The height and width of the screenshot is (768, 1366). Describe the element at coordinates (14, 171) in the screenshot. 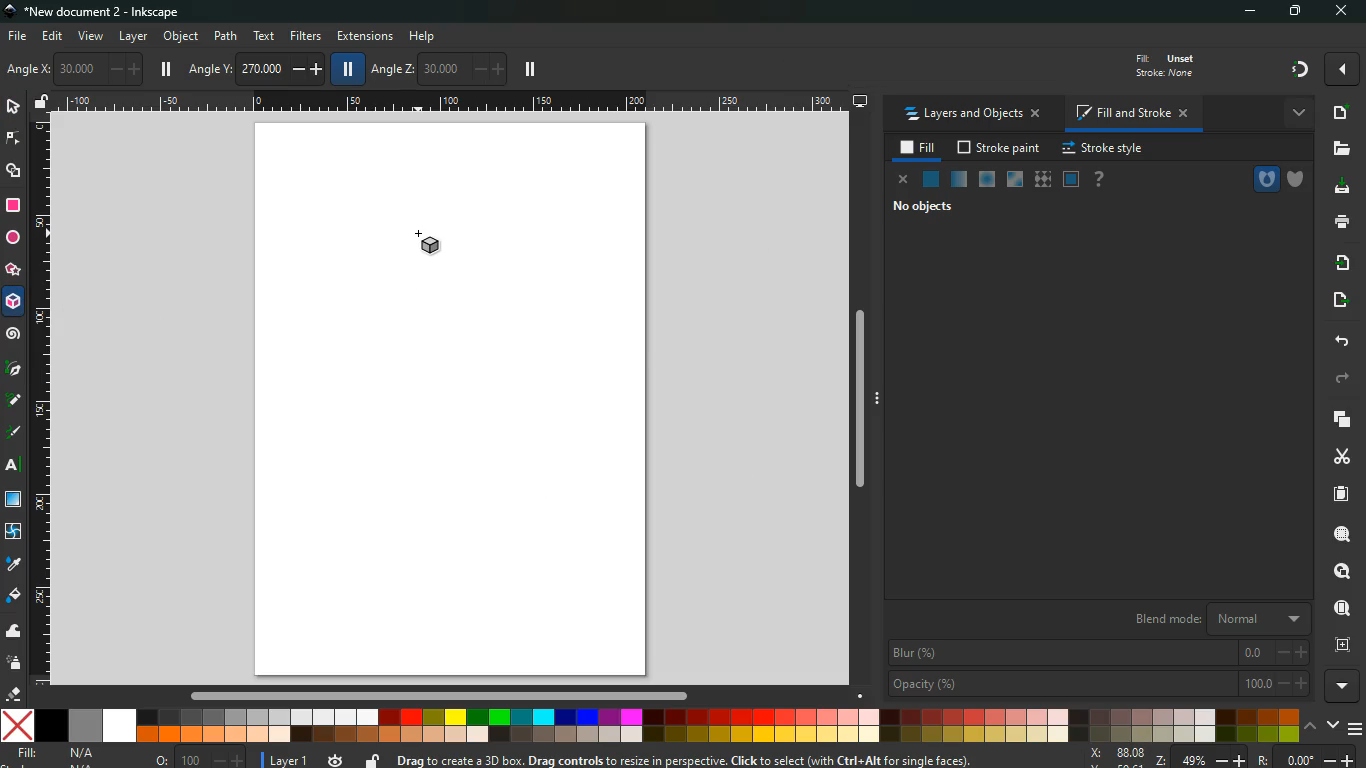

I see `shapes` at that location.